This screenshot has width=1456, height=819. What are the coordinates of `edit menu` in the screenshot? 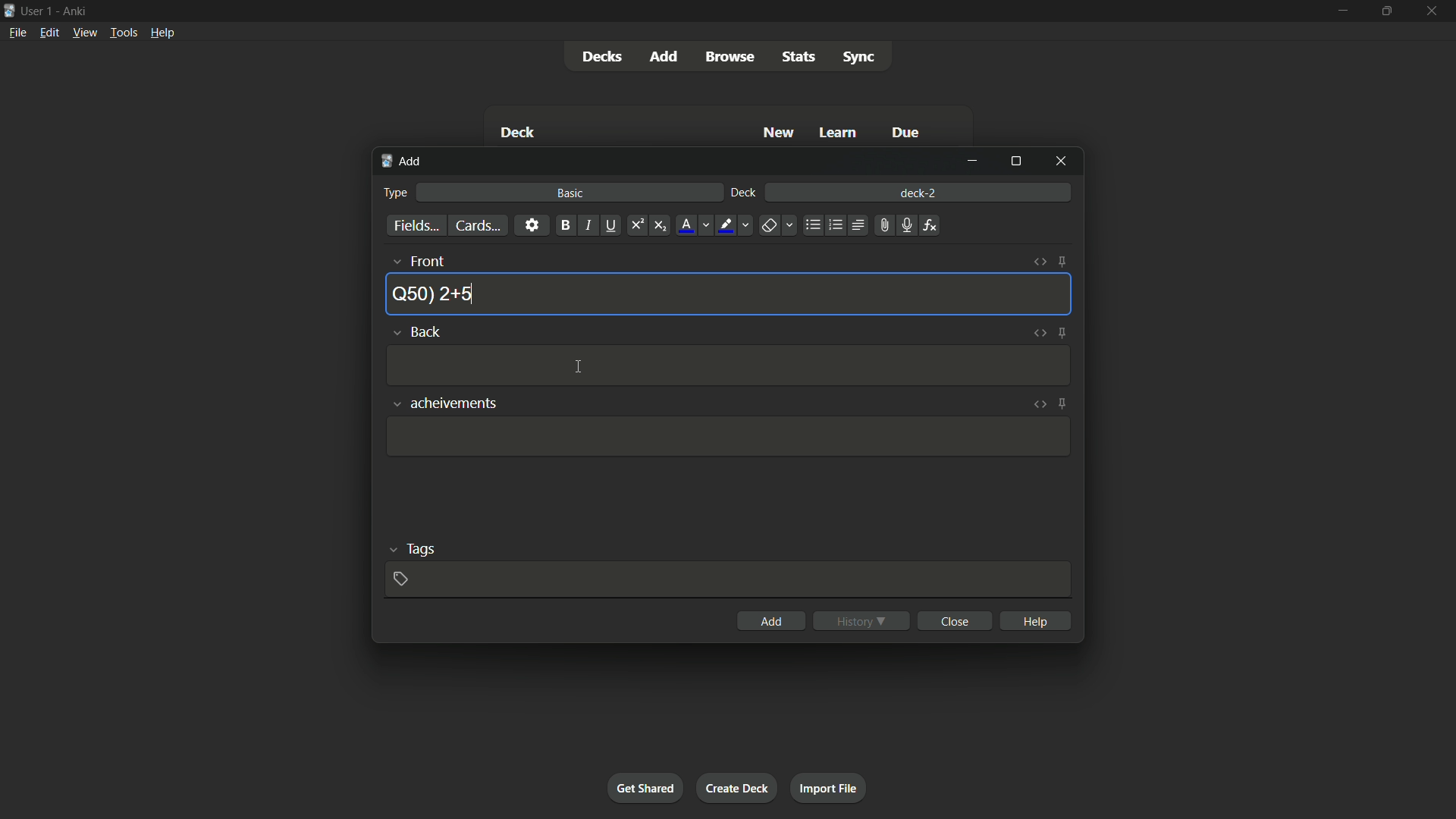 It's located at (49, 33).